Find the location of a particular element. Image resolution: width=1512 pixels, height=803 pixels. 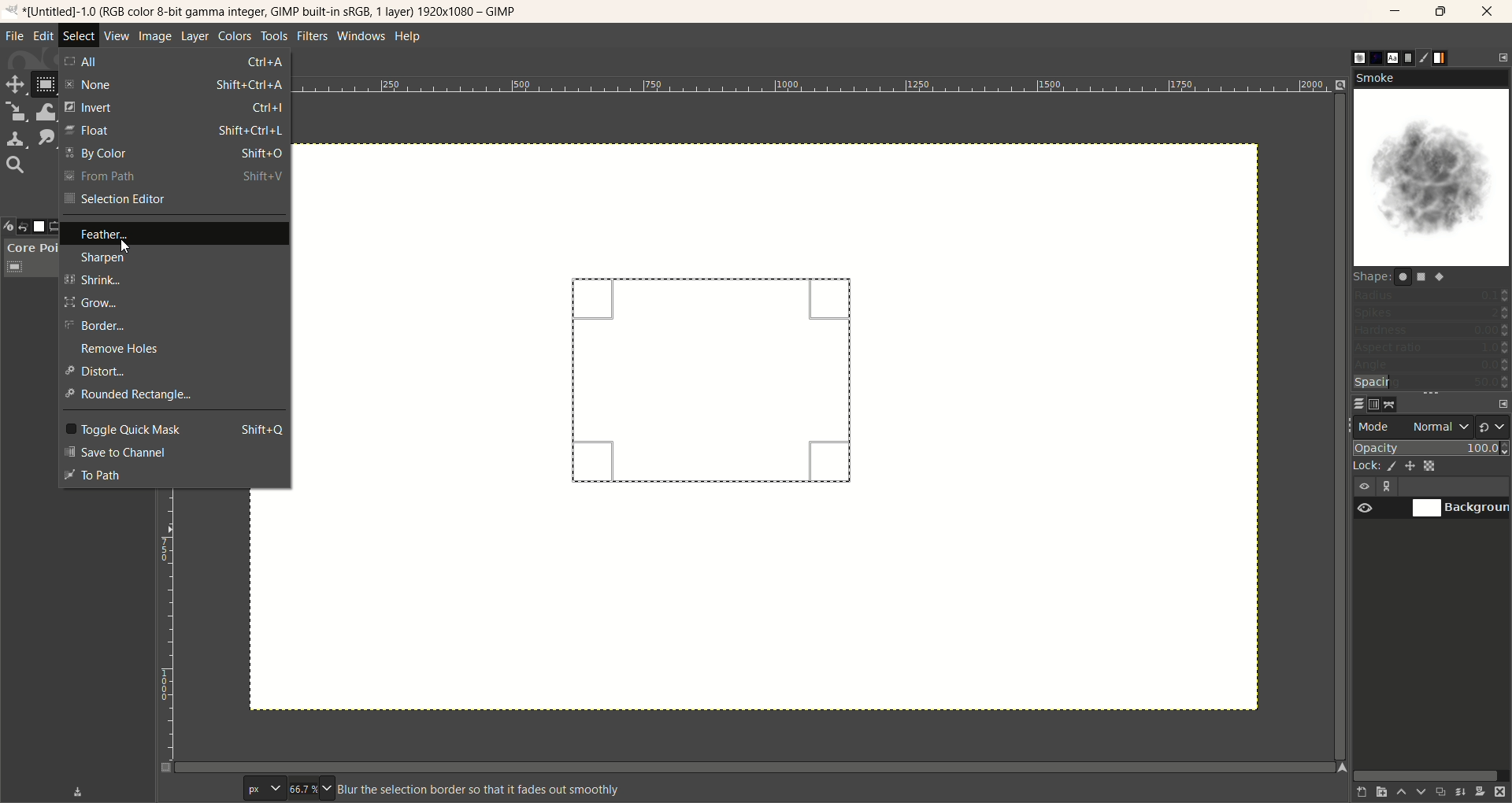

font is located at coordinates (1388, 57).